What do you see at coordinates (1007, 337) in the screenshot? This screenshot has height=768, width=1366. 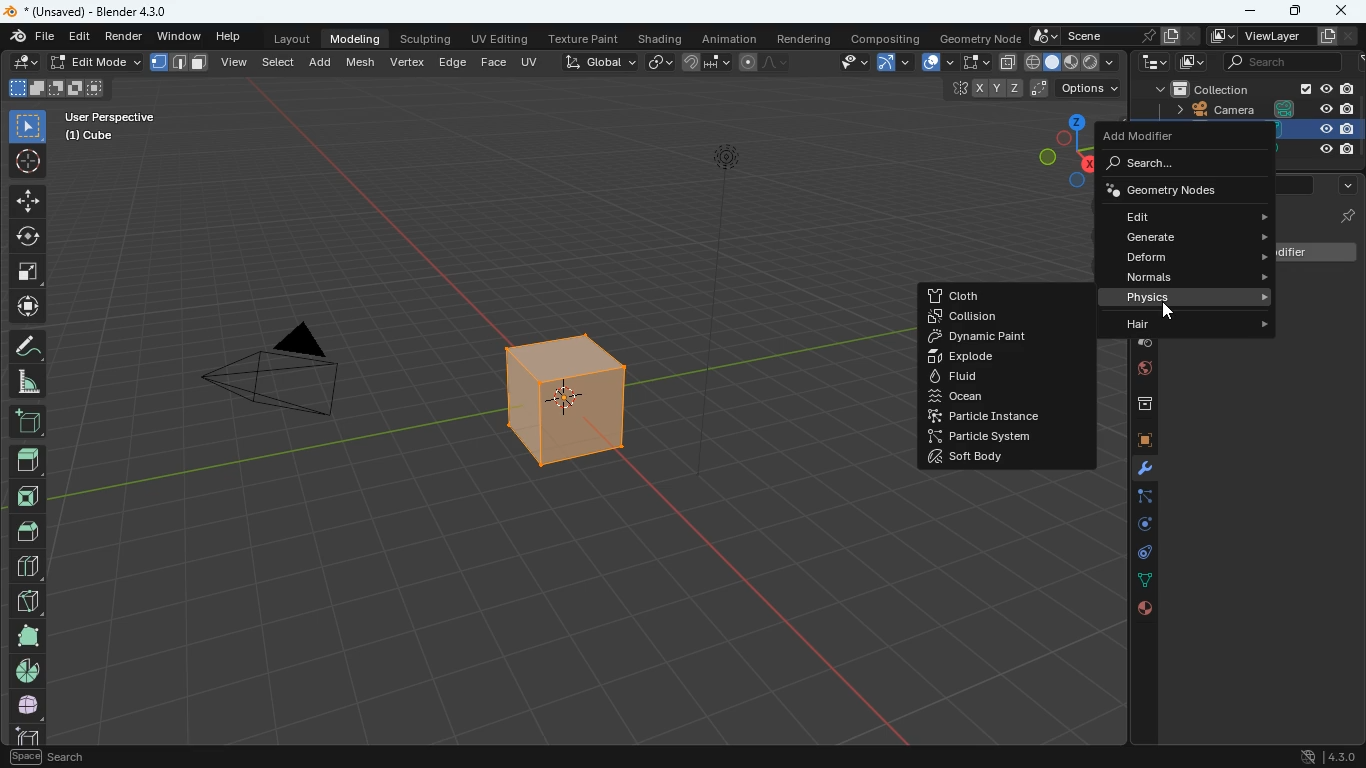 I see `dynamic paint` at bounding box center [1007, 337].